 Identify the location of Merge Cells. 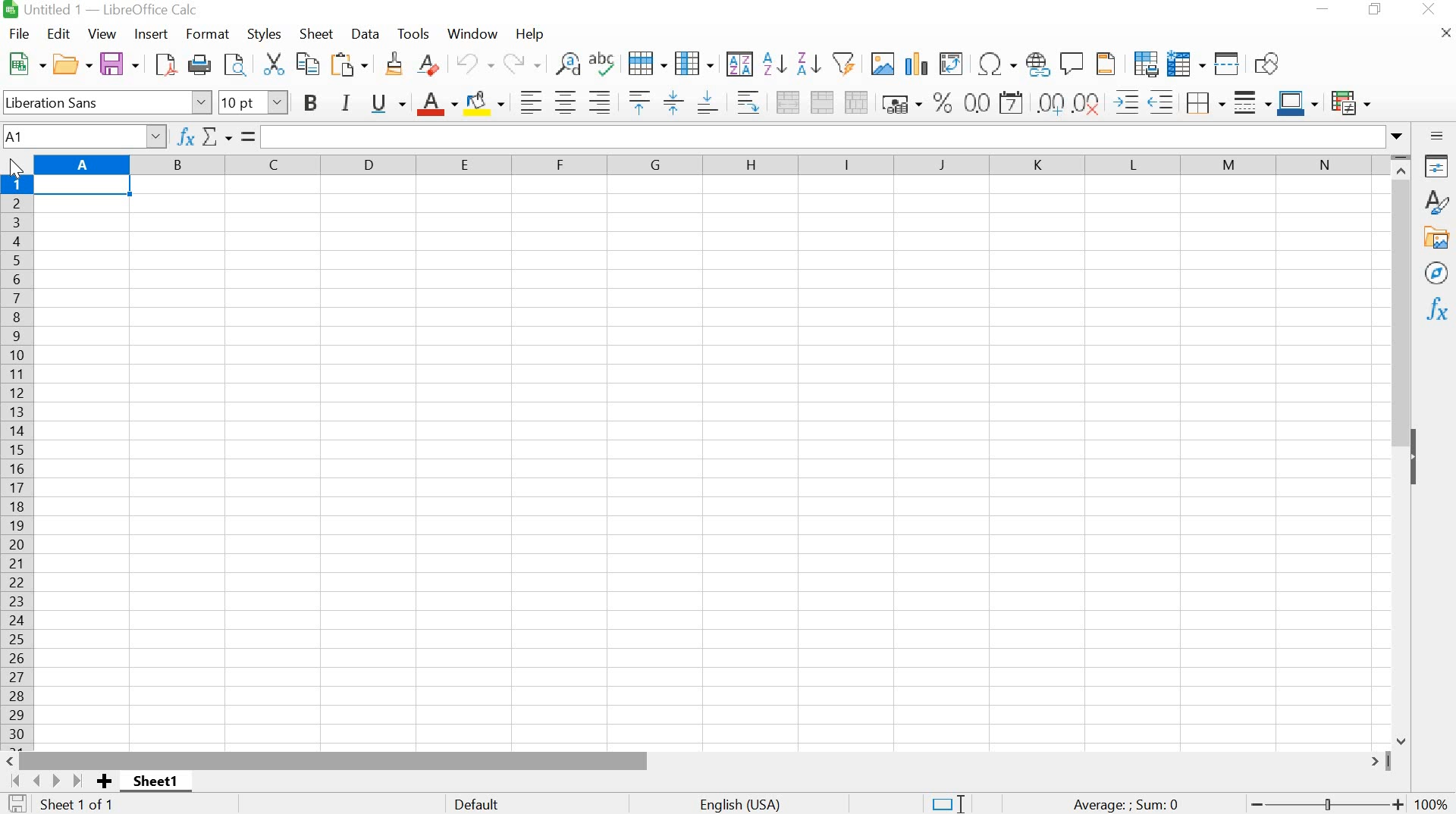
(821, 102).